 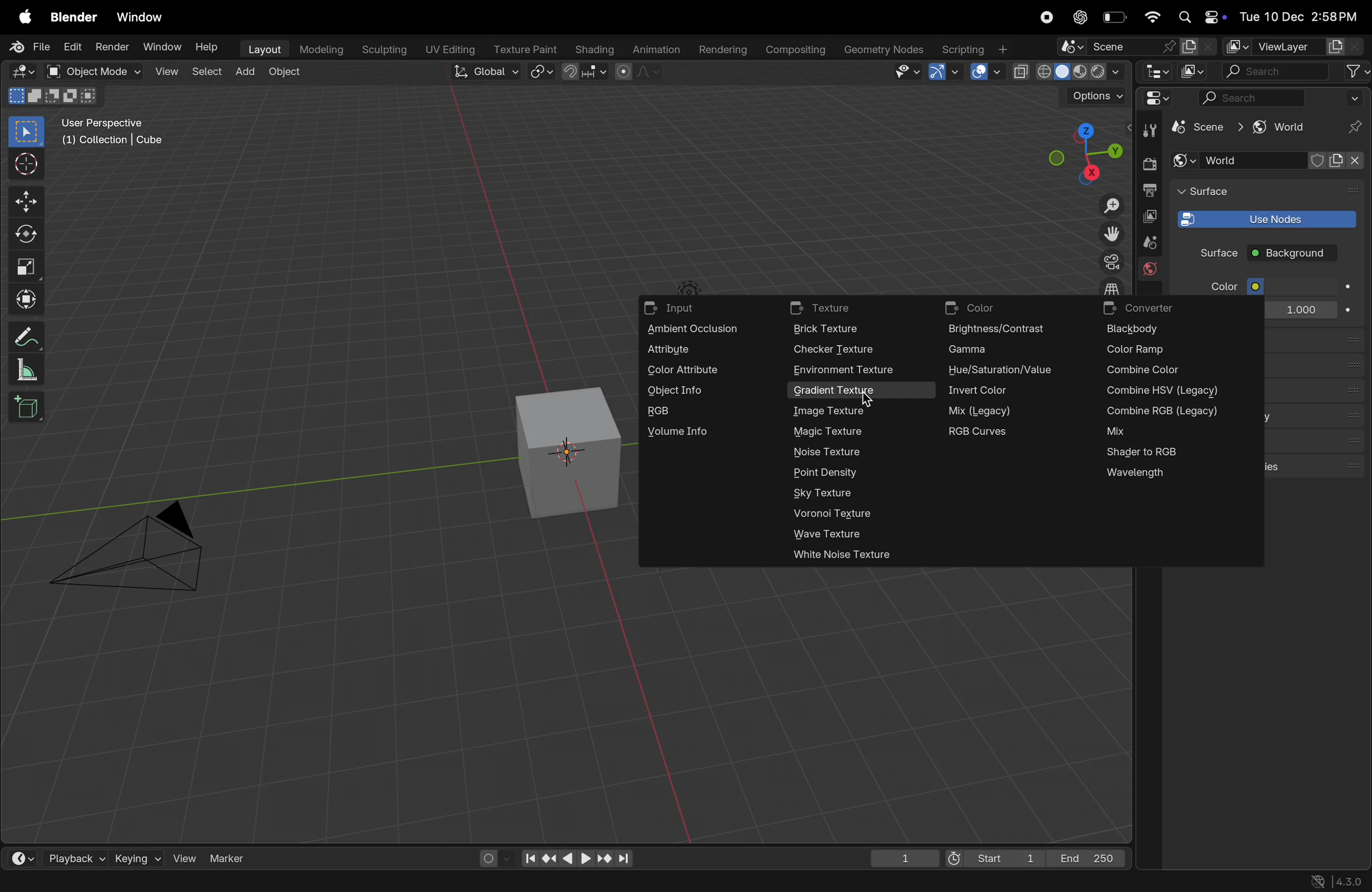 What do you see at coordinates (1096, 96) in the screenshot?
I see `options` at bounding box center [1096, 96].